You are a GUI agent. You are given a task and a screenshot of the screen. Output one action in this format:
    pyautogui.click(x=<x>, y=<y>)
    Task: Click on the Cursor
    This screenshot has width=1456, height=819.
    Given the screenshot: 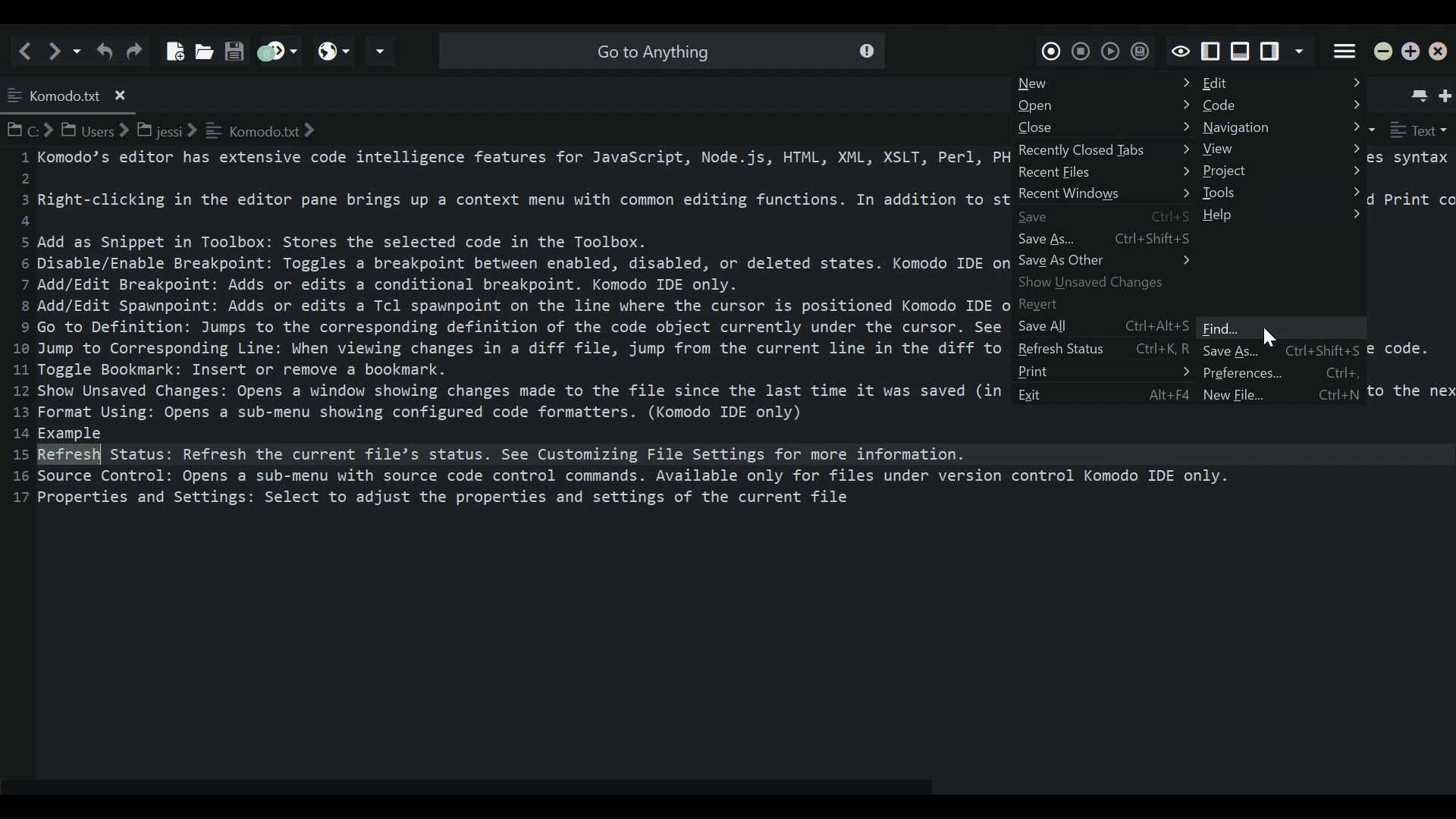 What is the action you would take?
    pyautogui.click(x=1267, y=337)
    